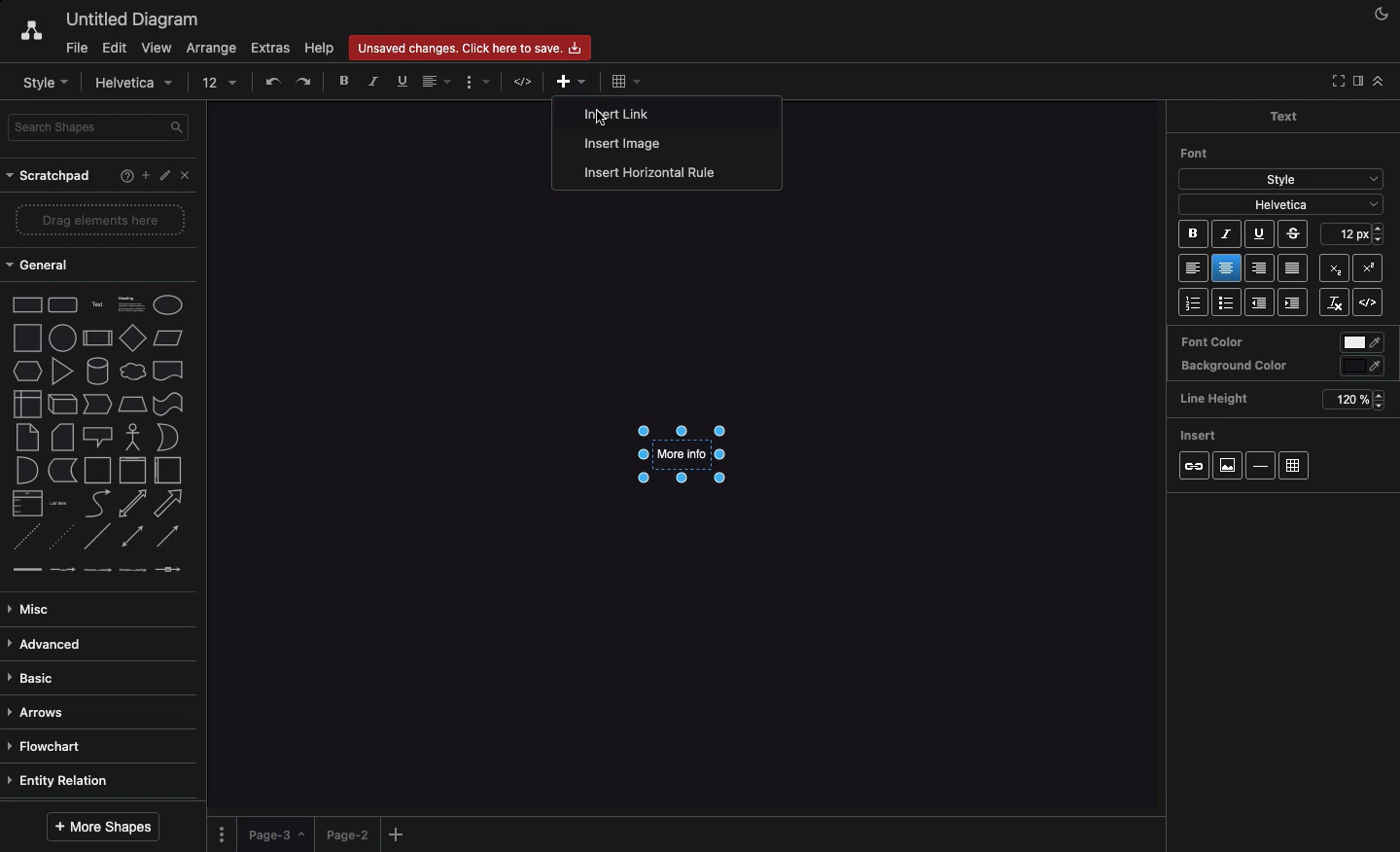 The width and height of the screenshot is (1400, 852). Describe the element at coordinates (62, 337) in the screenshot. I see `circle` at that location.